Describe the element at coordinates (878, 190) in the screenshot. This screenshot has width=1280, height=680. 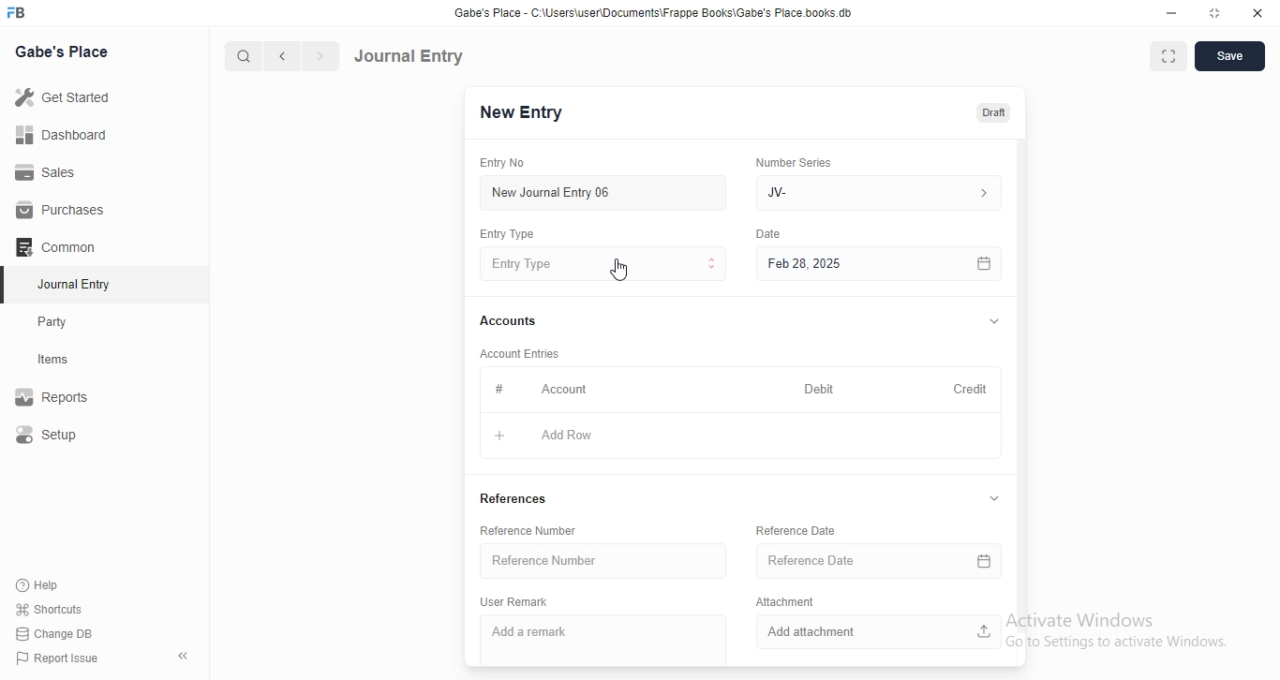
I see `JV-` at that location.